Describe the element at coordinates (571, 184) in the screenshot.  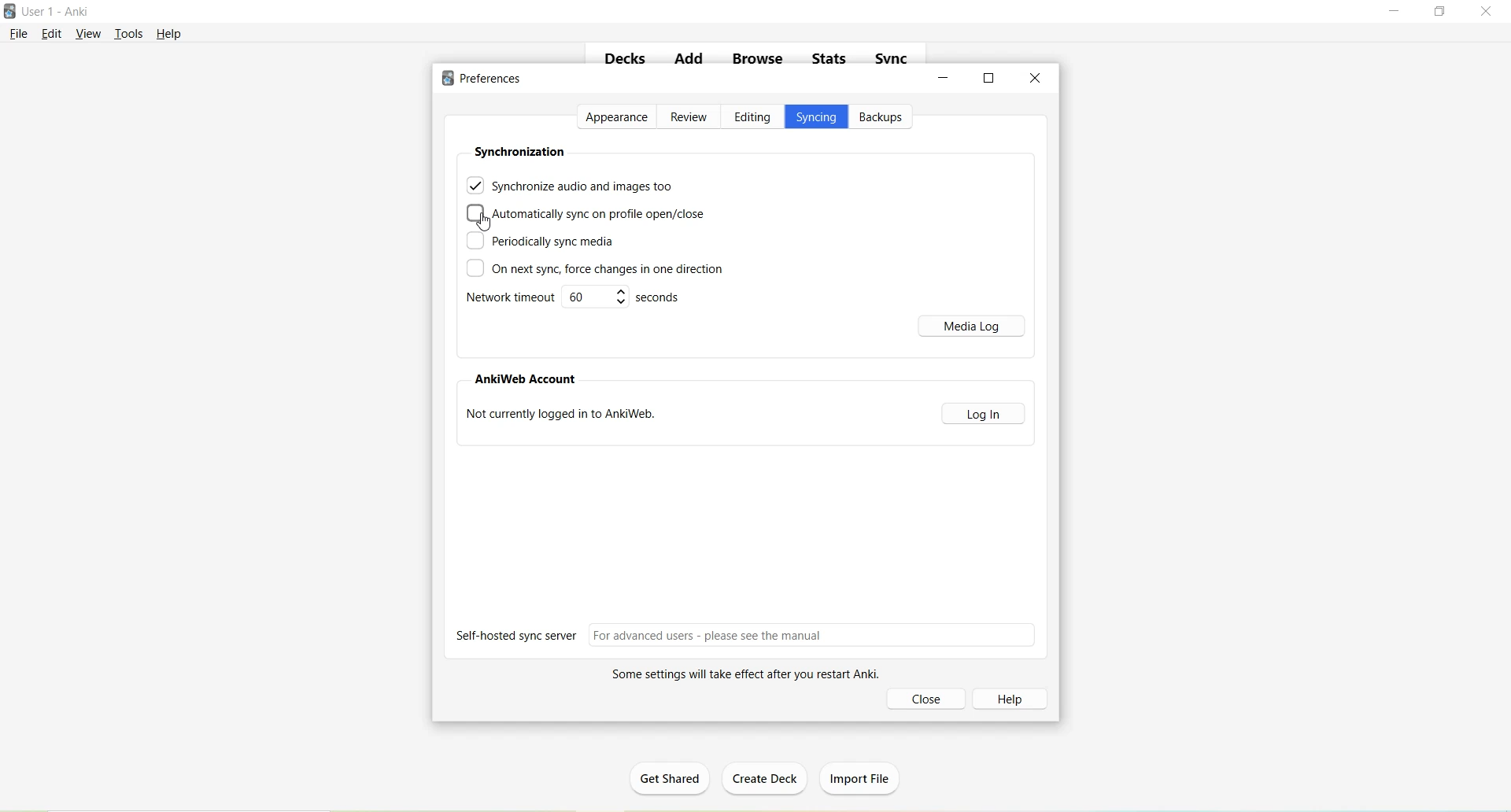
I see `Synchronize audio and images too` at that location.